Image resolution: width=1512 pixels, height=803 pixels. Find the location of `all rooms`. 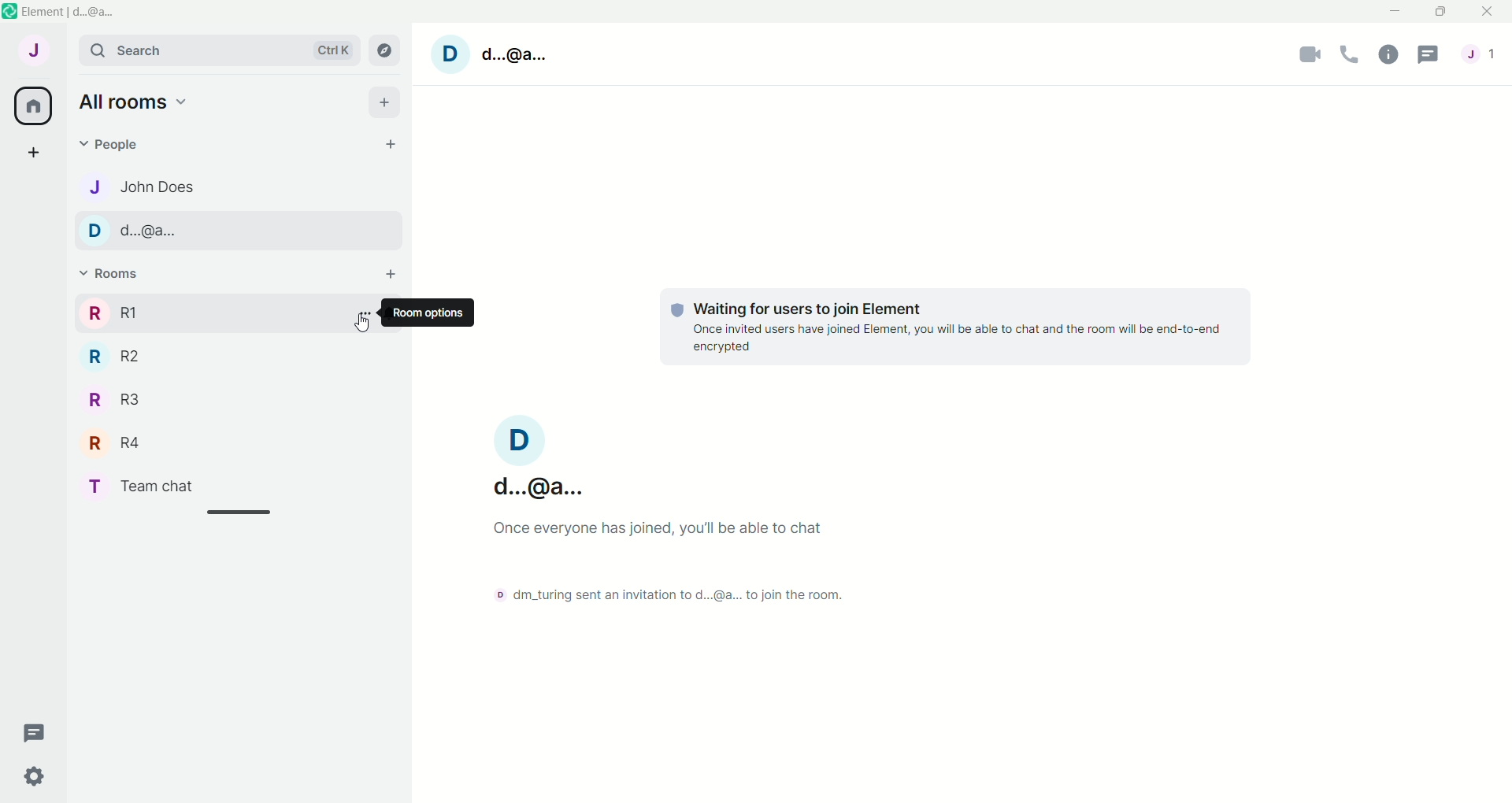

all rooms is located at coordinates (134, 101).